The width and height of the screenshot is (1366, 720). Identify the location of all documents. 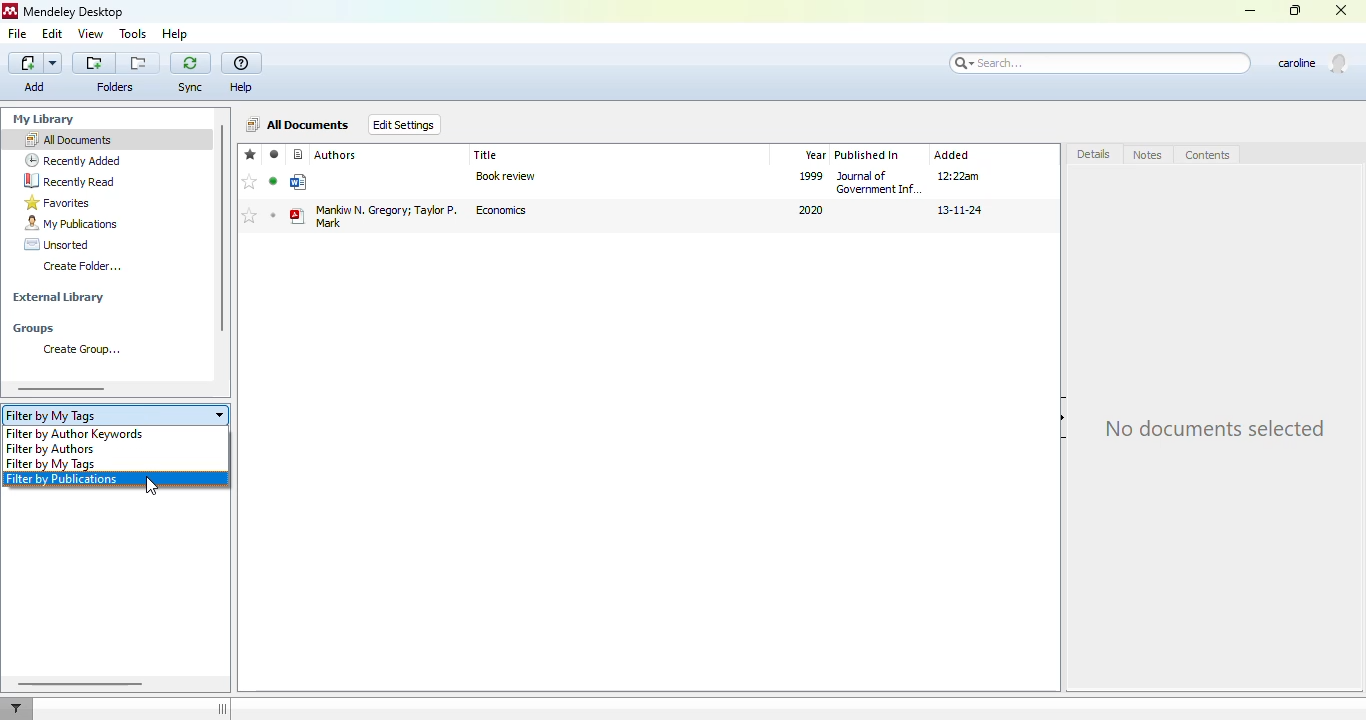
(68, 139).